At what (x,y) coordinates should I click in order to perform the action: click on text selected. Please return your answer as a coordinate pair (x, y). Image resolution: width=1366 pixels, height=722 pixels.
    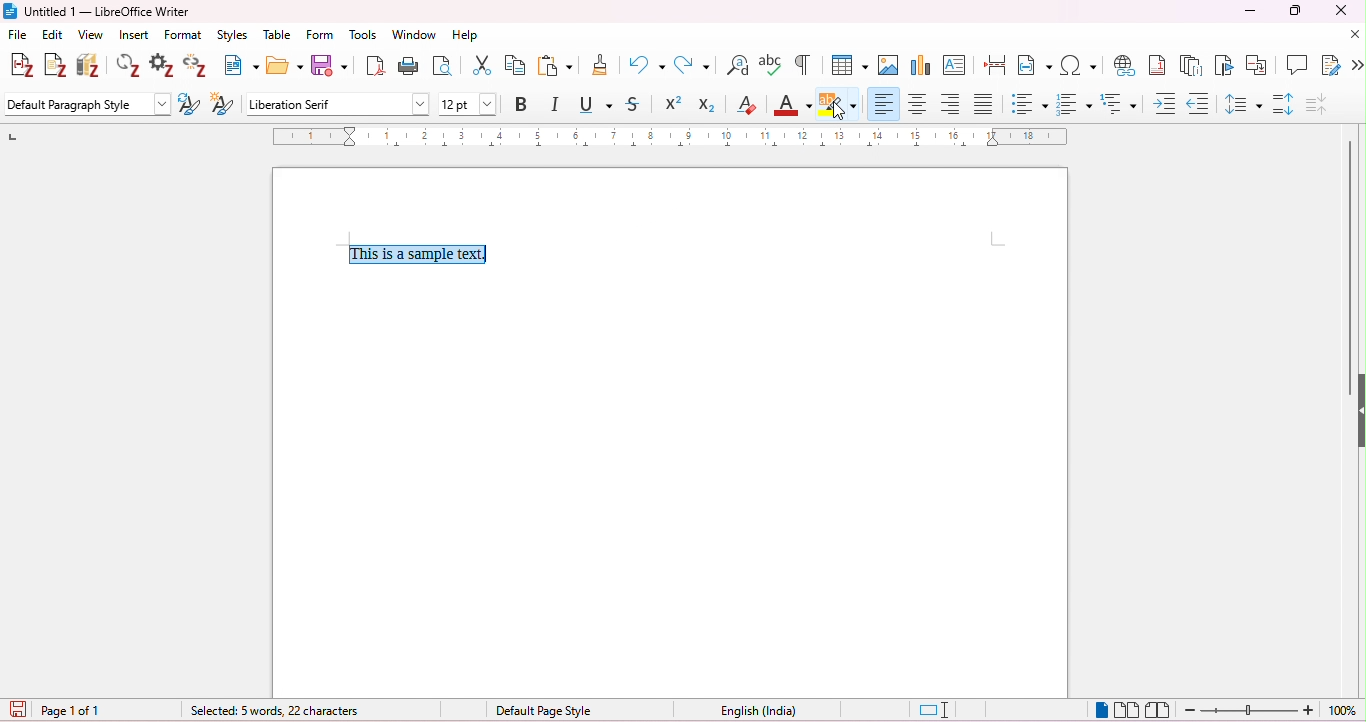
    Looking at the image, I should click on (423, 254).